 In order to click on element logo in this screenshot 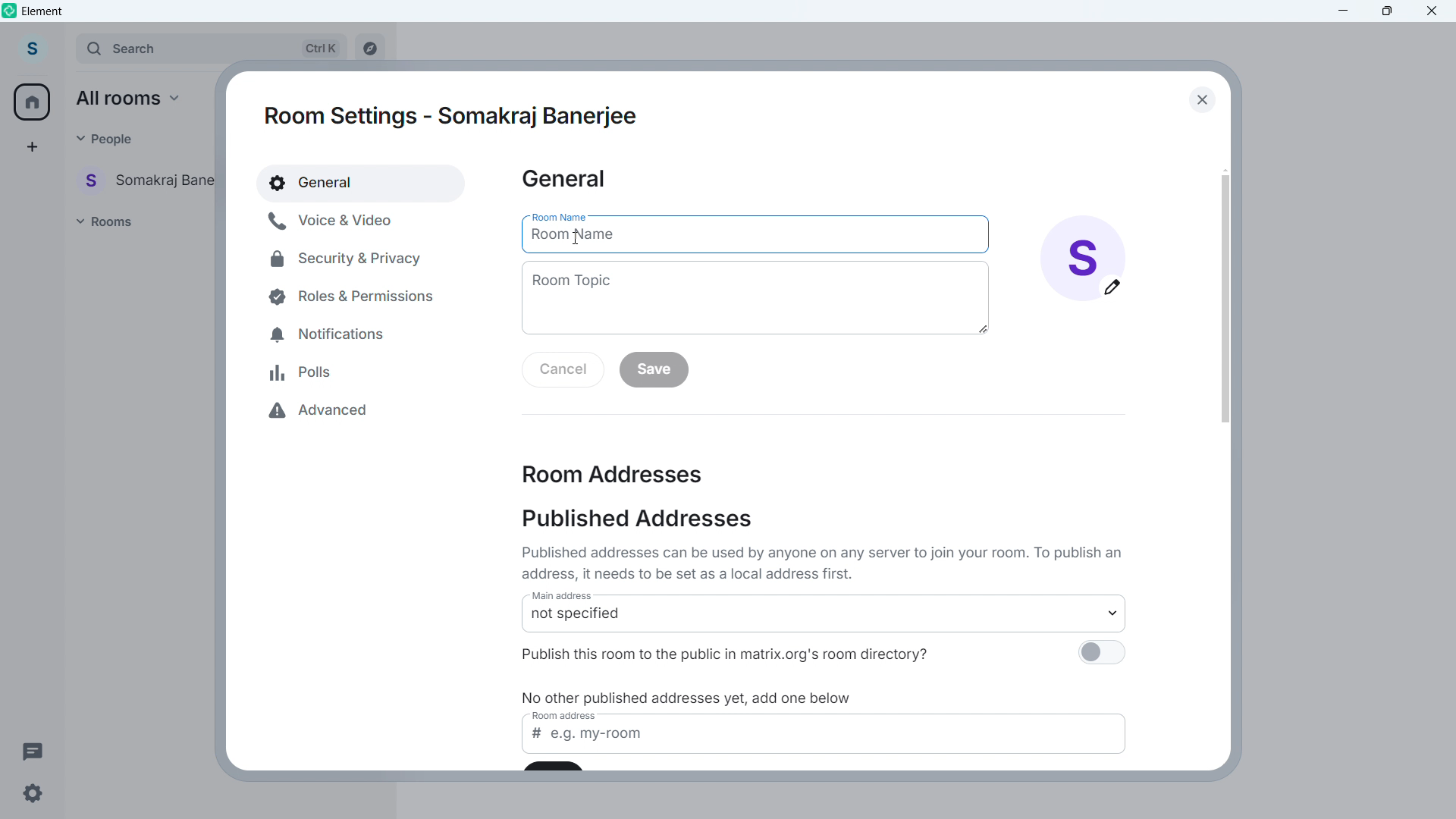, I will do `click(10, 10)`.